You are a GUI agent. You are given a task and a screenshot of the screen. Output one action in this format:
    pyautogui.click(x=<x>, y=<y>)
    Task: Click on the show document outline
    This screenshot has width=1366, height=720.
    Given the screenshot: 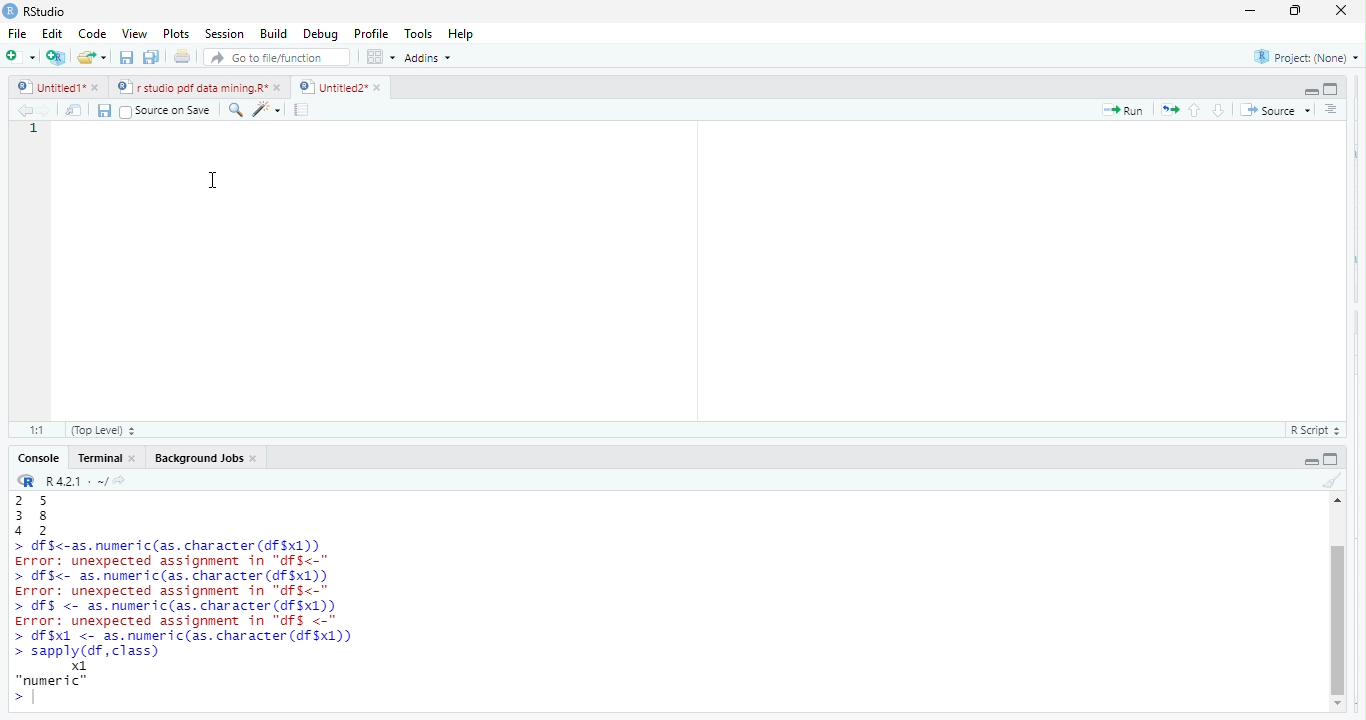 What is the action you would take?
    pyautogui.click(x=1332, y=111)
    